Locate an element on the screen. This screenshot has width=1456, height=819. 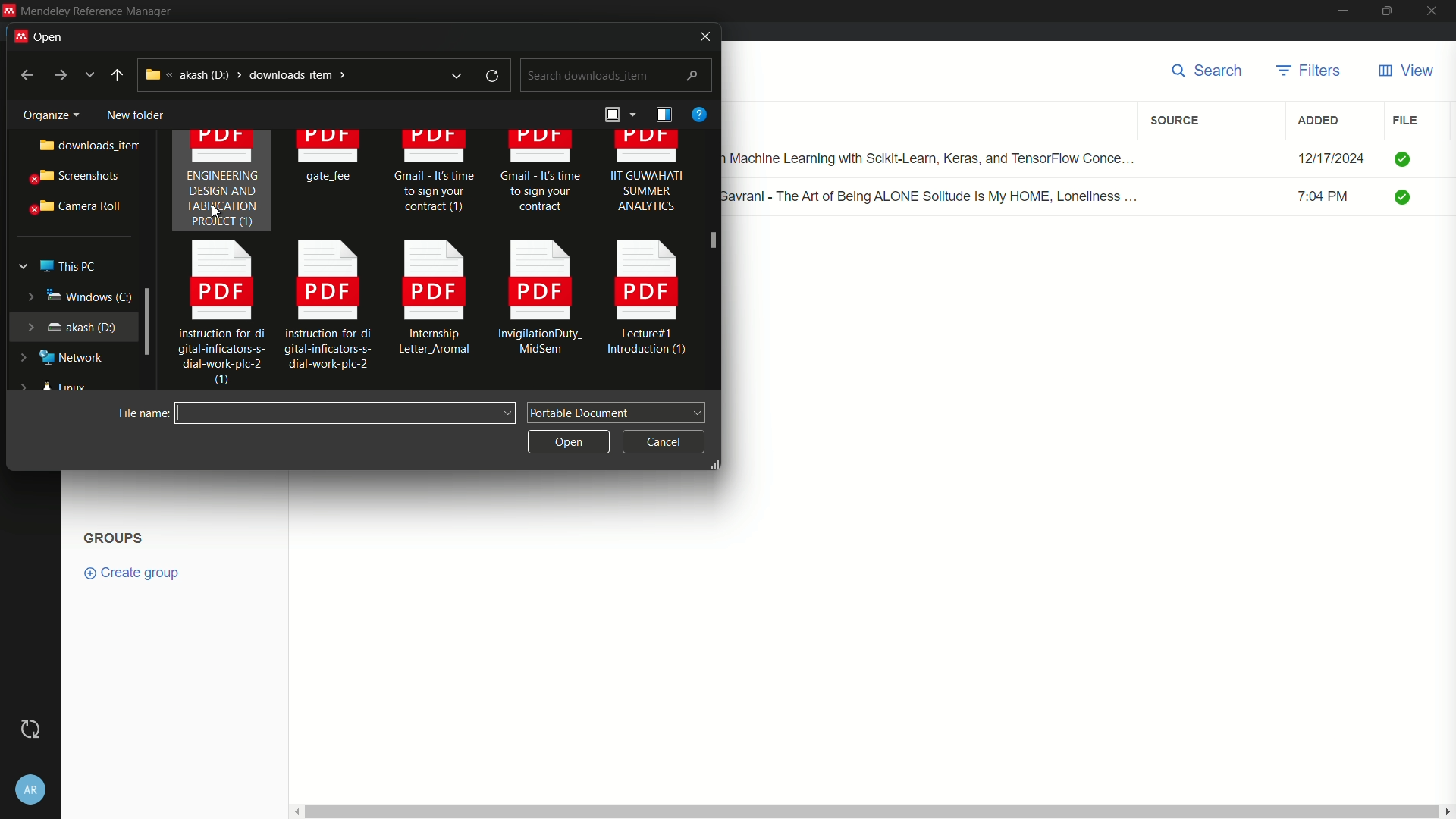
Gmail - It's time
to sign your
contract (1) is located at coordinates (434, 178).